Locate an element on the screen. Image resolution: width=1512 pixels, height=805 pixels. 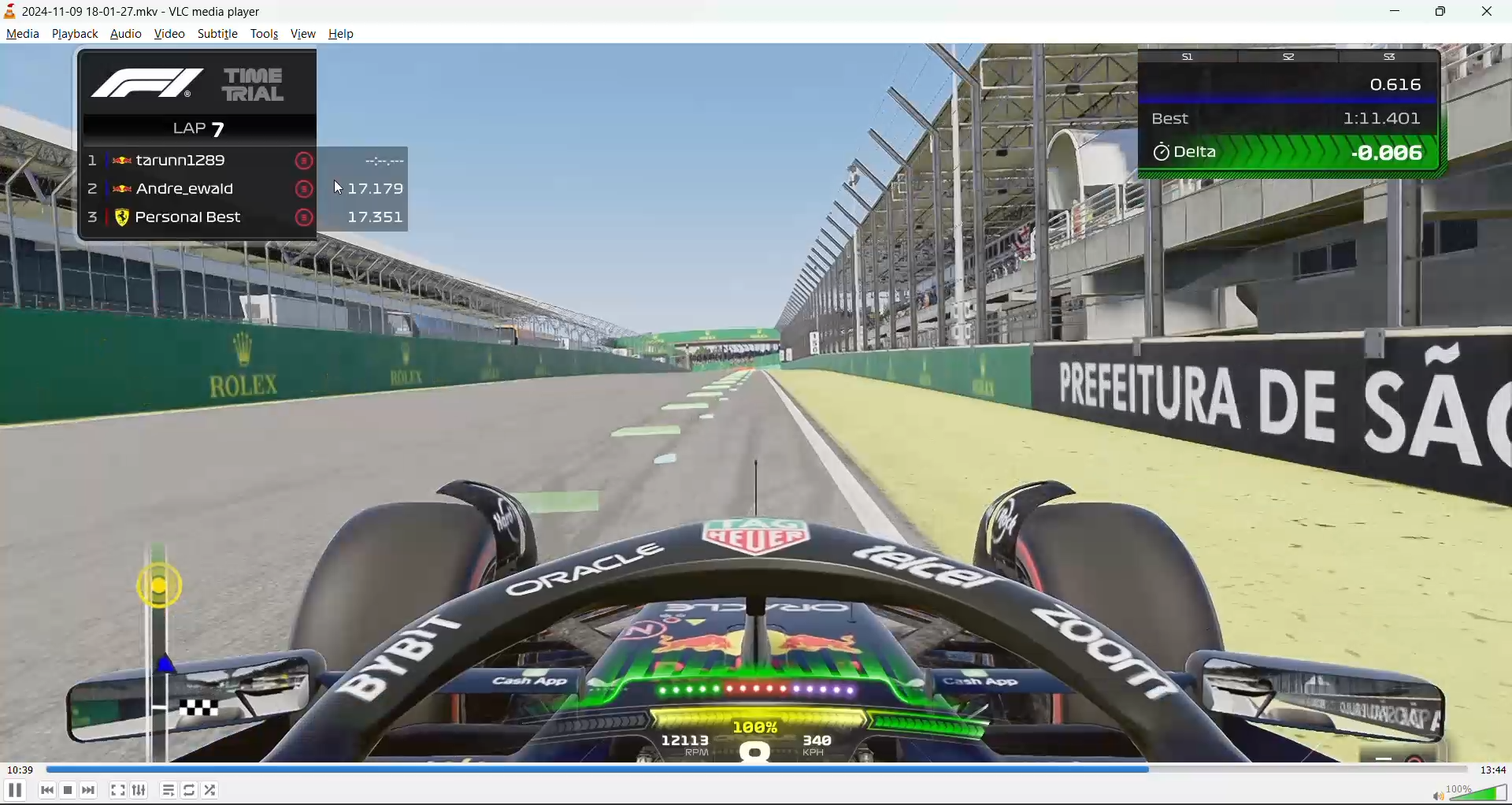
playback is located at coordinates (73, 35).